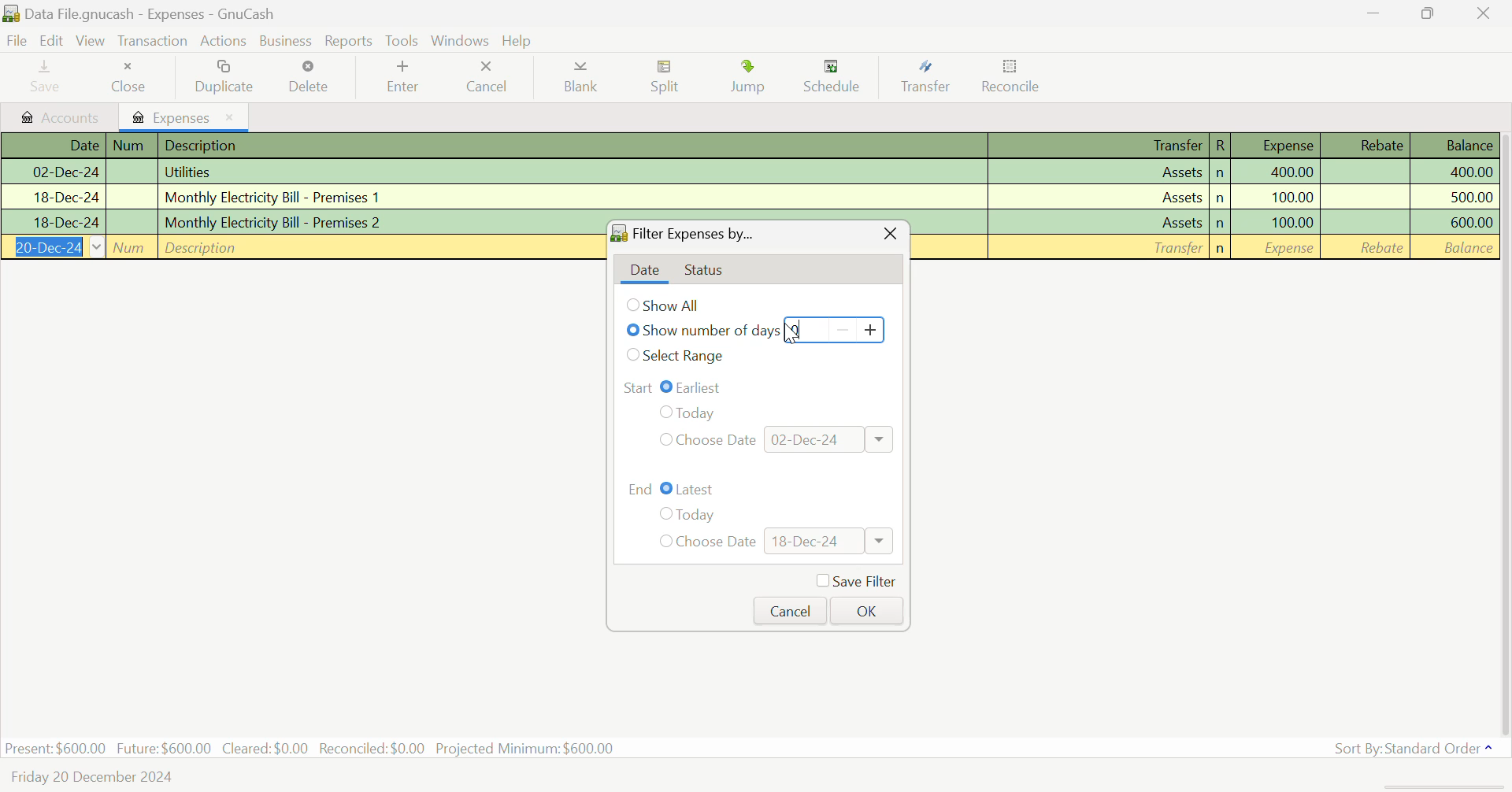 The image size is (1512, 792). Describe the element at coordinates (747, 79) in the screenshot. I see `Jump` at that location.